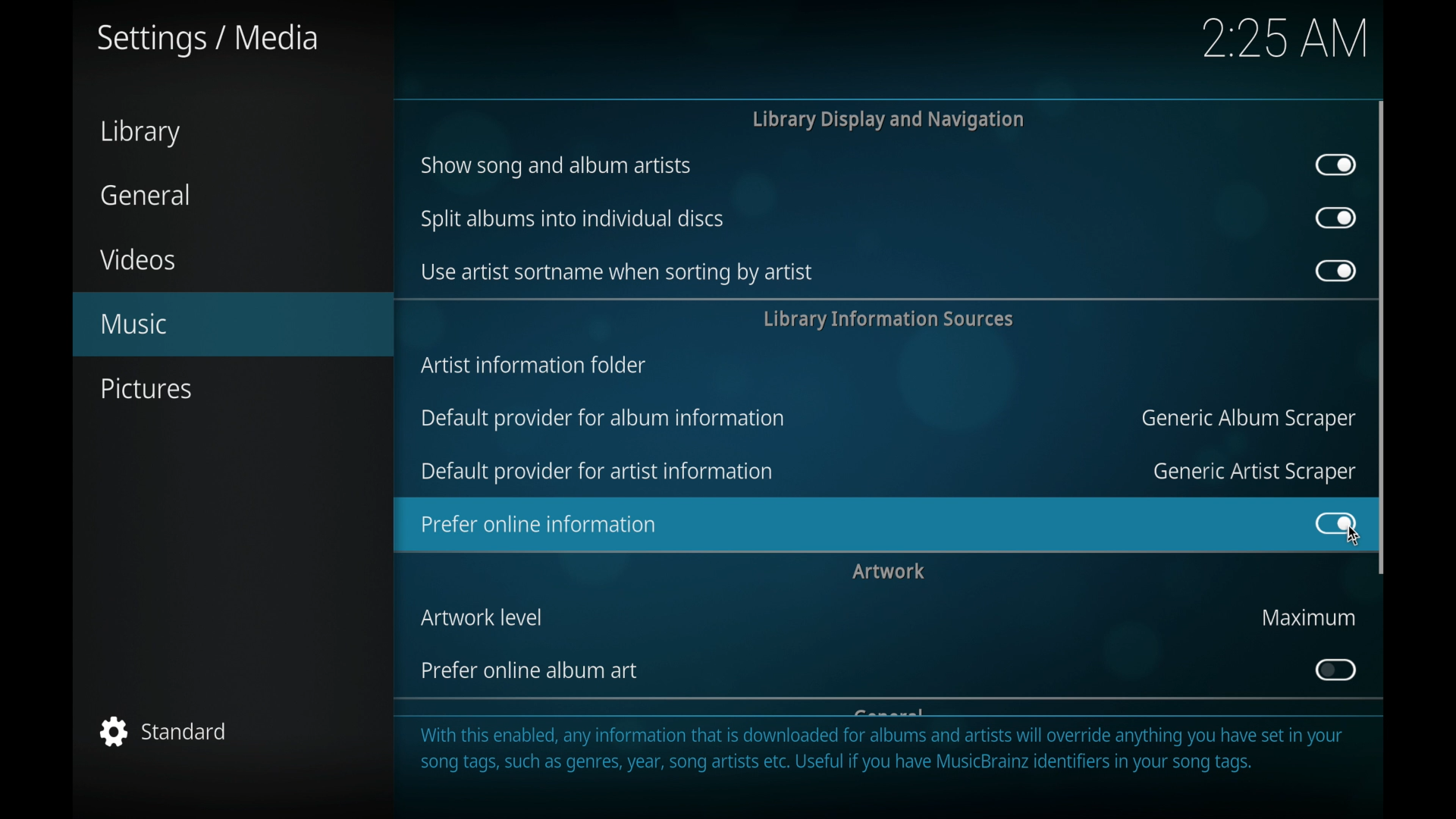 The image size is (1456, 819). What do you see at coordinates (145, 195) in the screenshot?
I see `general` at bounding box center [145, 195].